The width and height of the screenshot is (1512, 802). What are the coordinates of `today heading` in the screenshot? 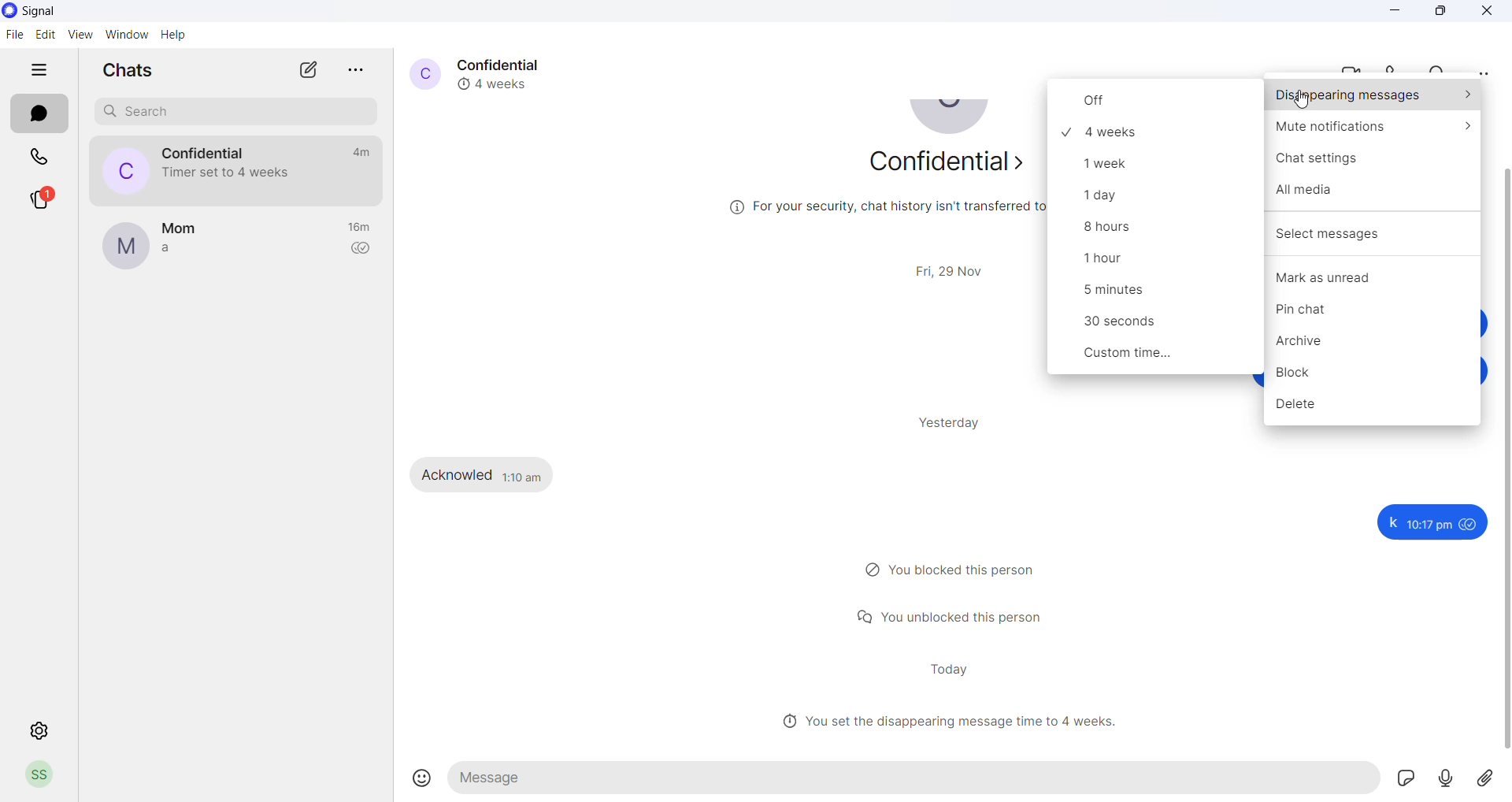 It's located at (949, 669).